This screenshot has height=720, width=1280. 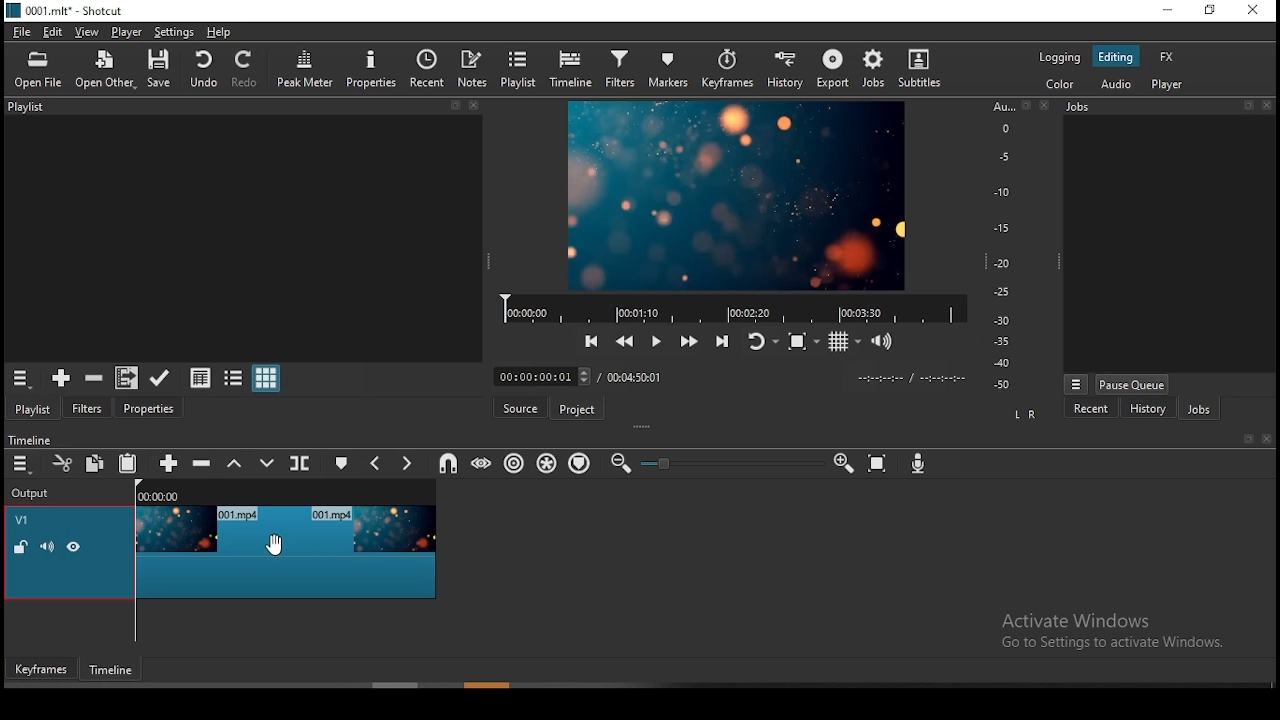 What do you see at coordinates (161, 378) in the screenshot?
I see `update` at bounding box center [161, 378].